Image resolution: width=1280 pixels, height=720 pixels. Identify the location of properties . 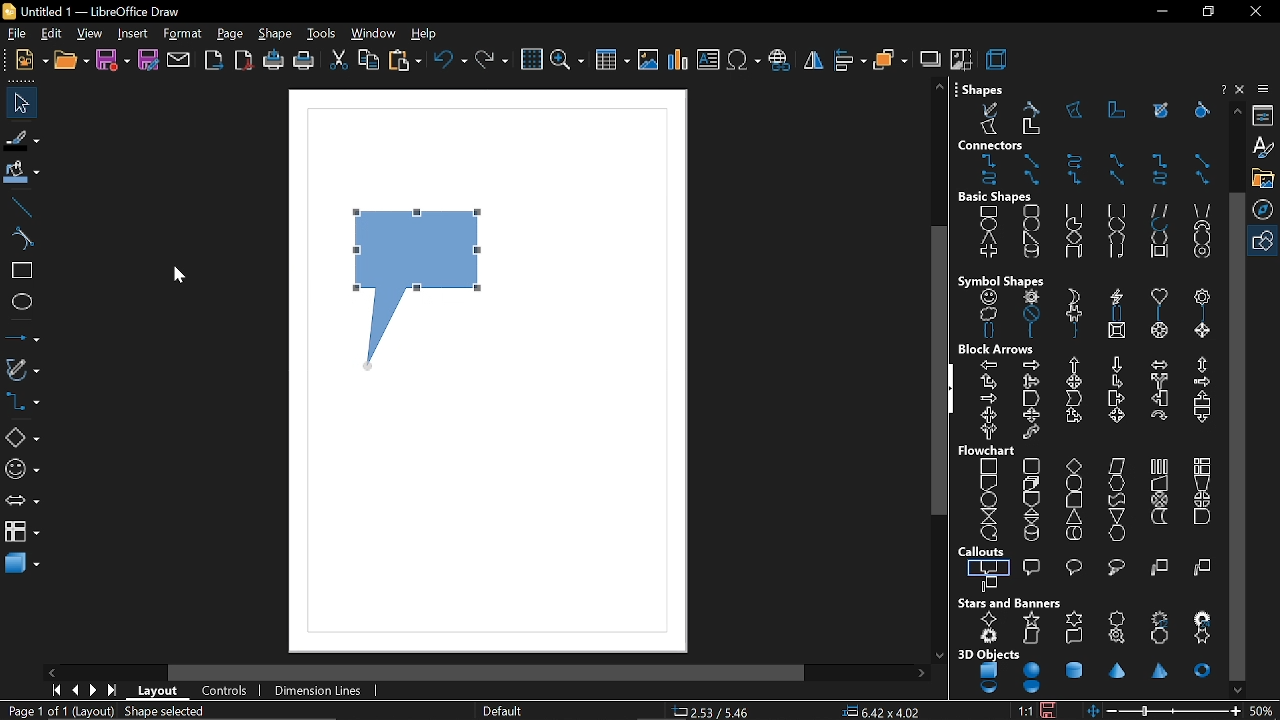
(1265, 117).